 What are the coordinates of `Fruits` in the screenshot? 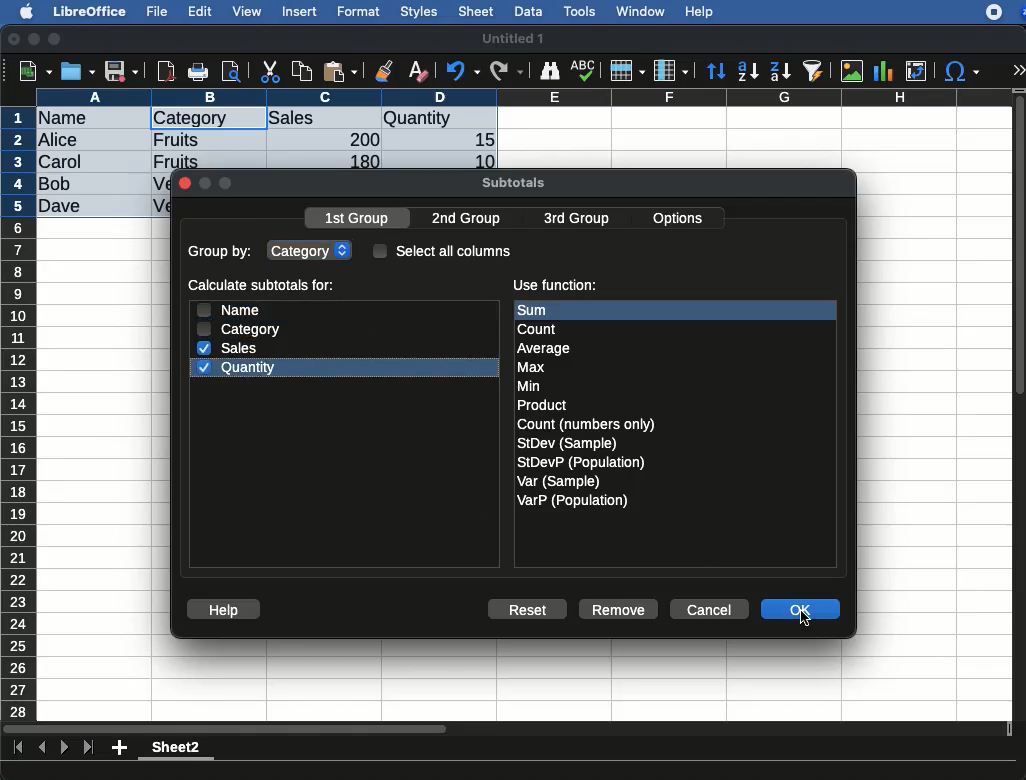 It's located at (177, 139).